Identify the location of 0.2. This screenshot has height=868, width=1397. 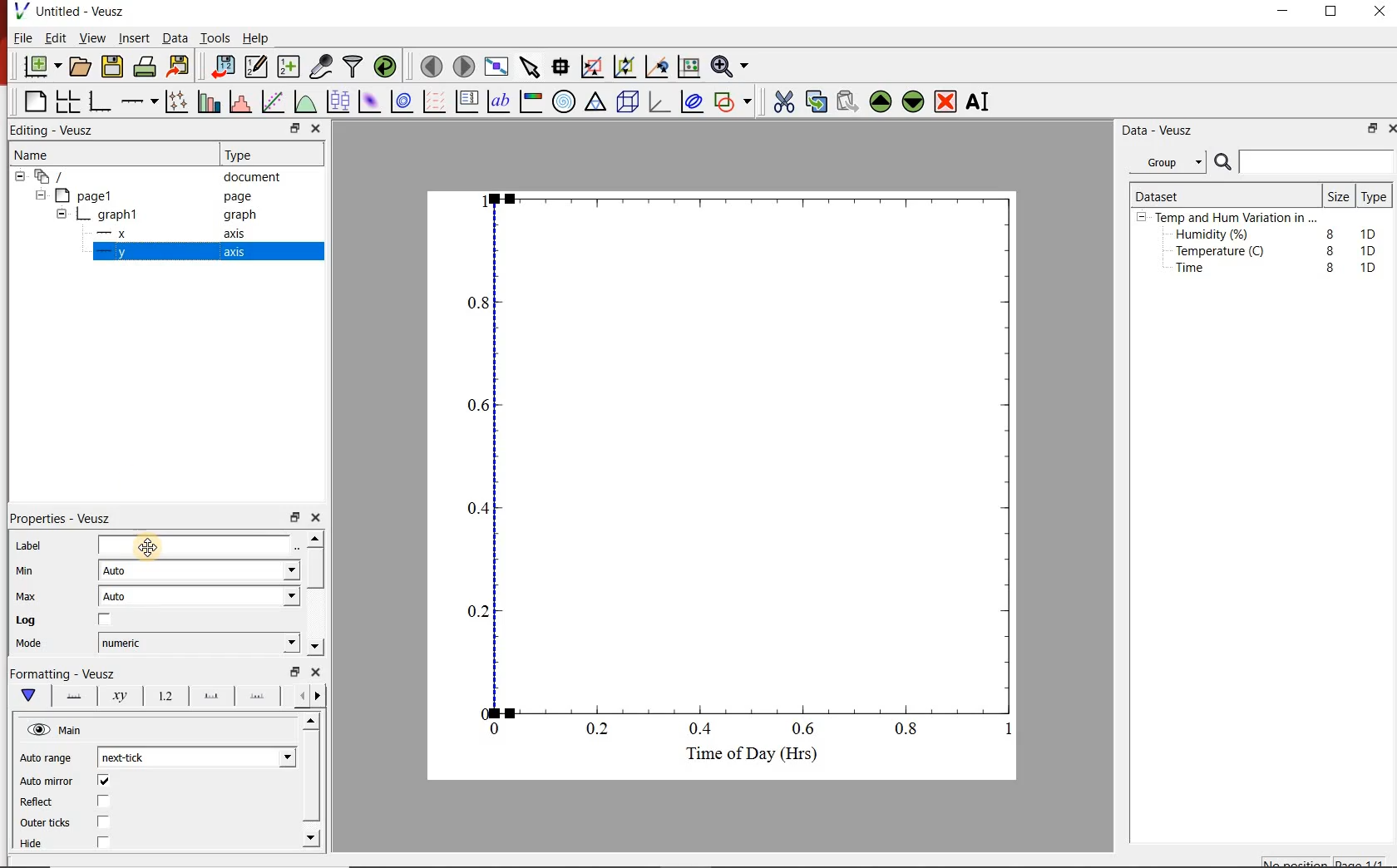
(476, 611).